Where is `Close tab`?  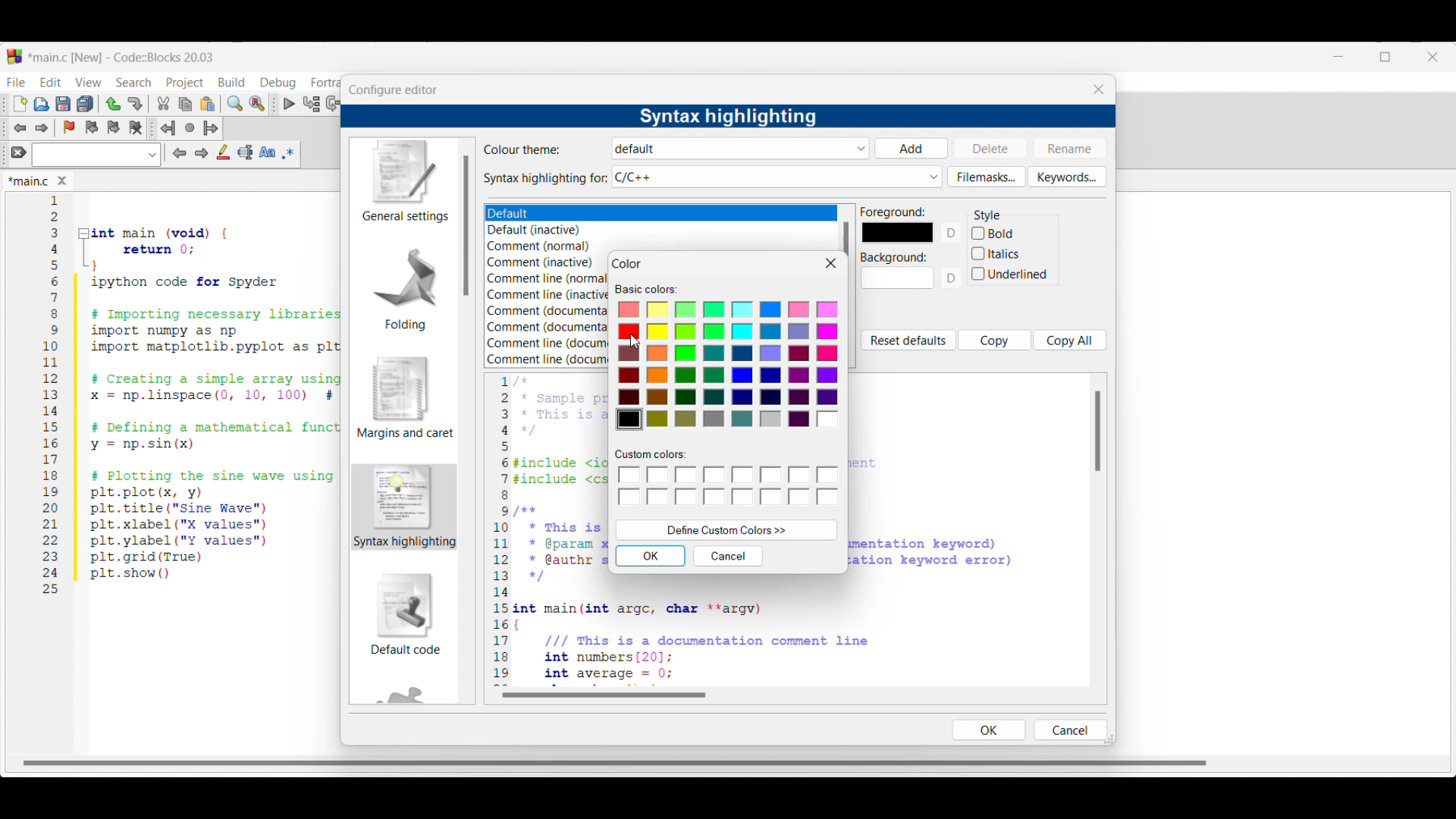
Close tab is located at coordinates (62, 180).